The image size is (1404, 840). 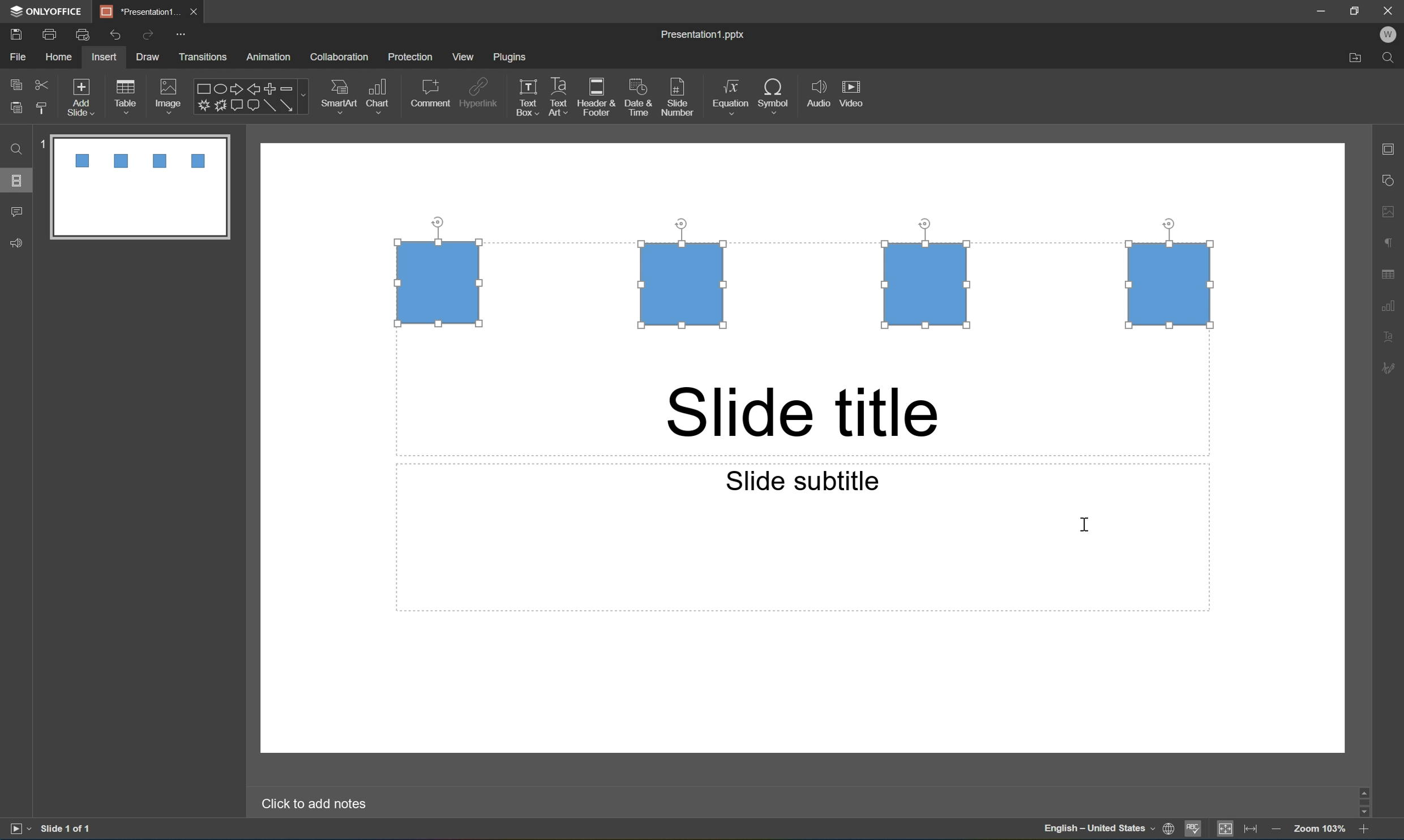 I want to click on insert, so click(x=105, y=57).